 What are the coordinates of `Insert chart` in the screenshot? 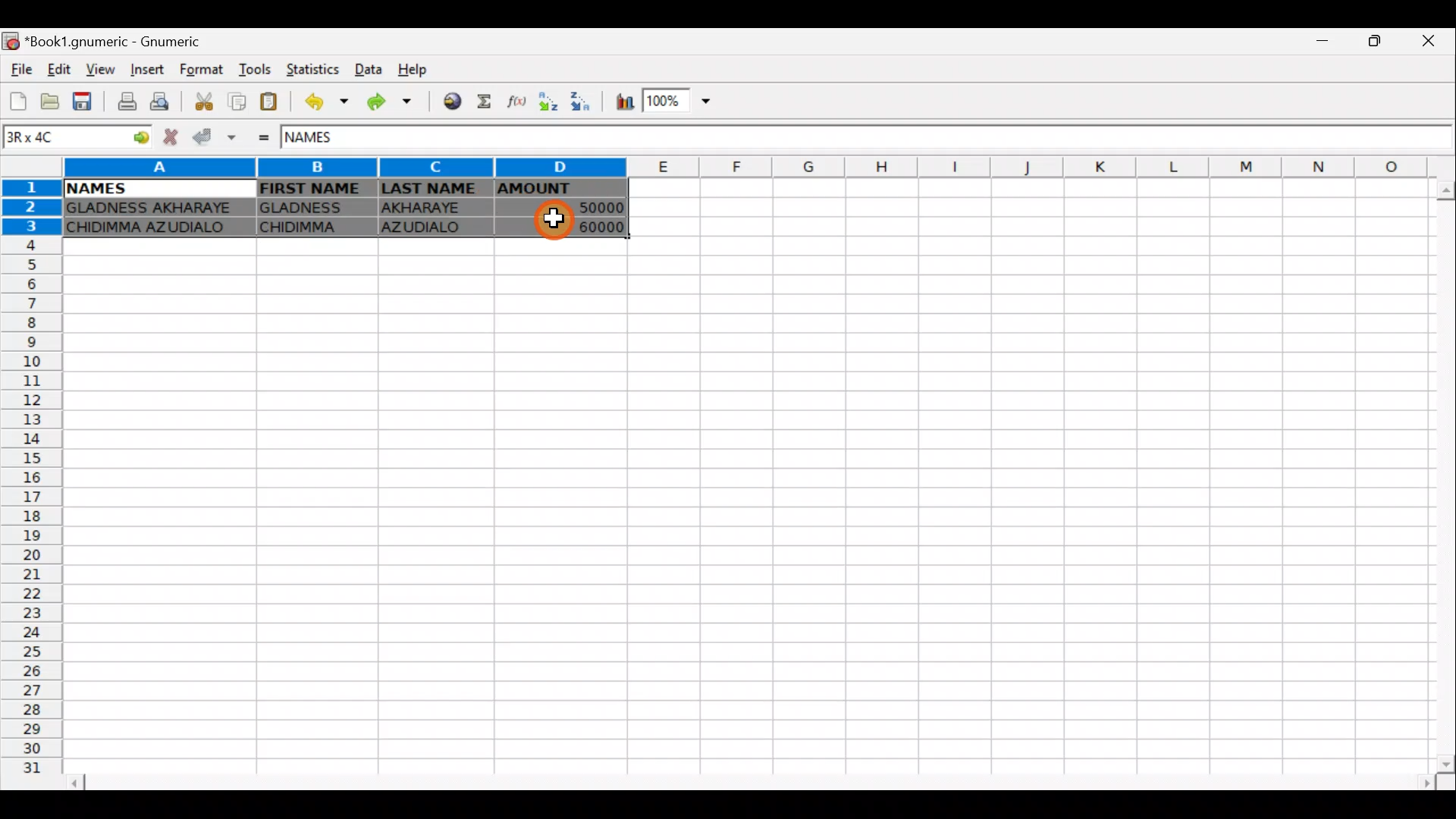 It's located at (624, 102).